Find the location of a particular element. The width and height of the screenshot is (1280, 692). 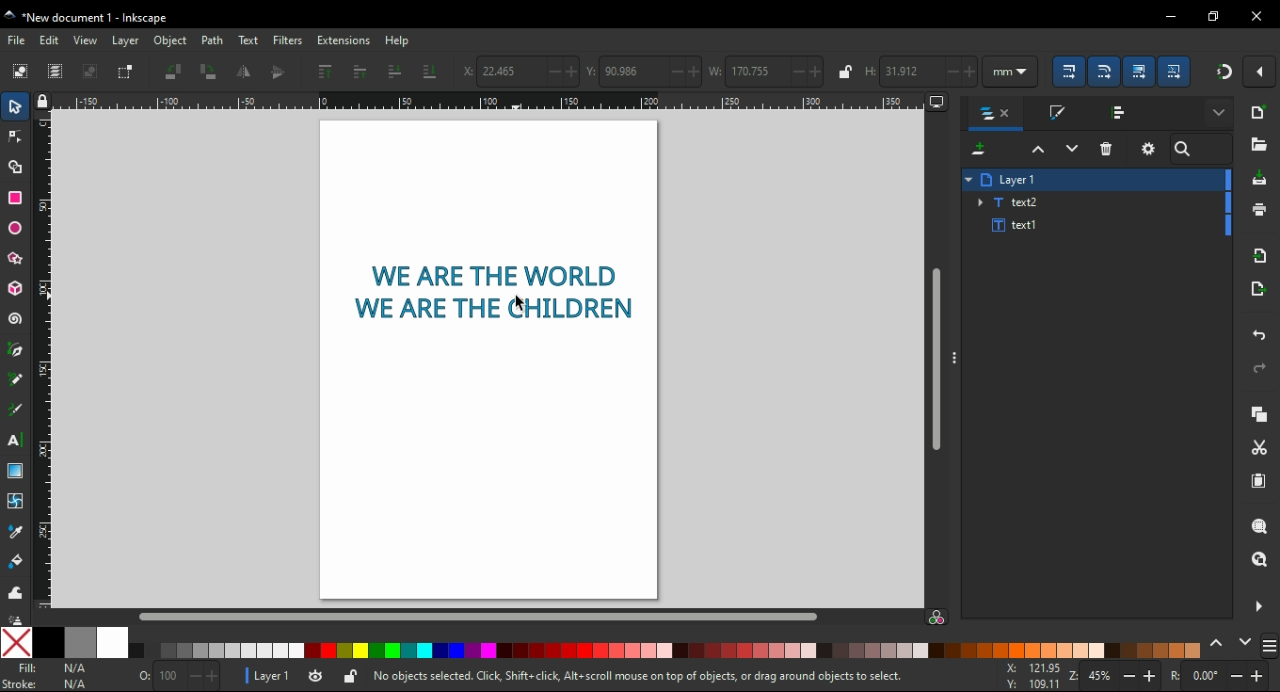

edit is located at coordinates (52, 41).